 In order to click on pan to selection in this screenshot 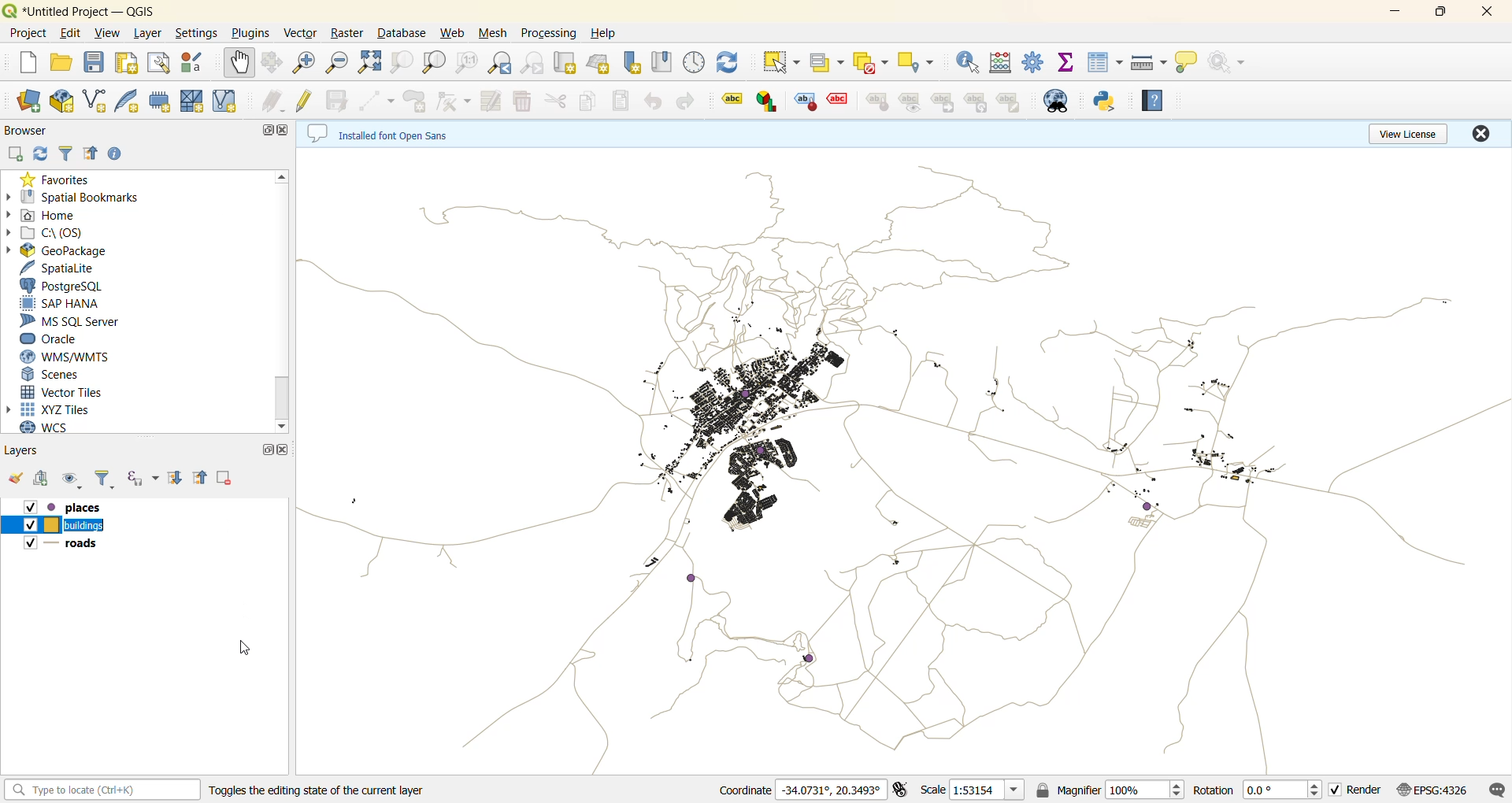, I will do `click(276, 64)`.